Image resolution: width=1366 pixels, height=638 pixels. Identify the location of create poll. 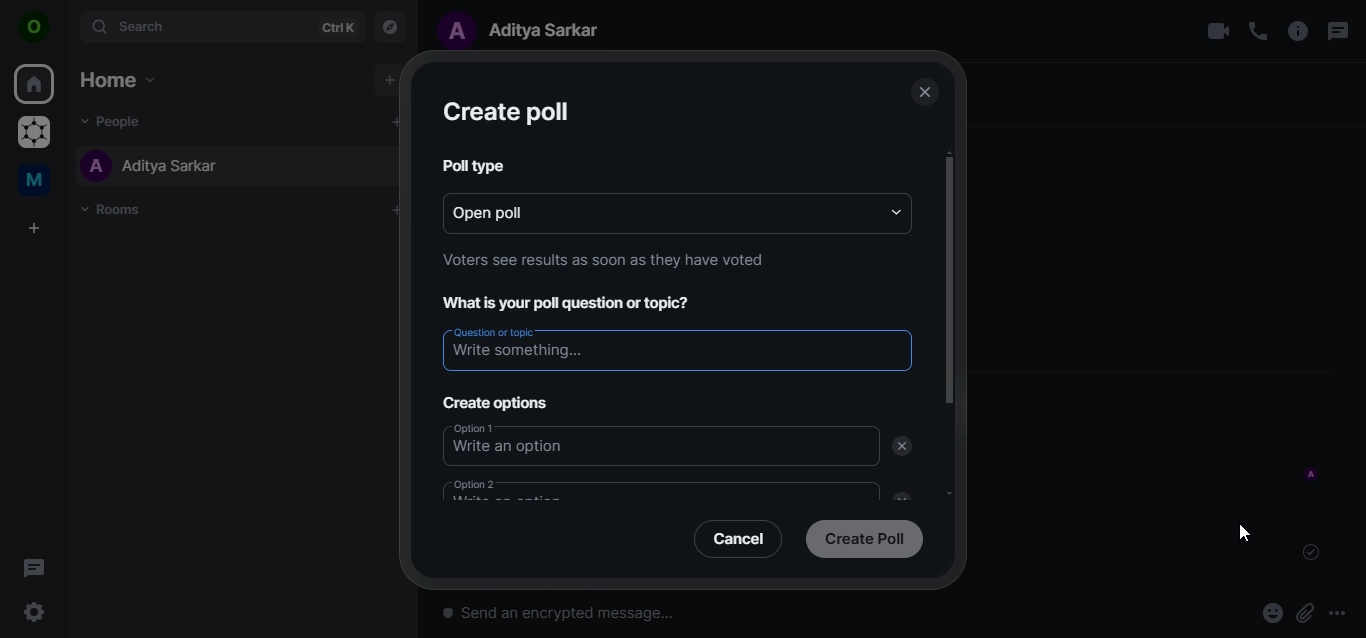
(505, 113).